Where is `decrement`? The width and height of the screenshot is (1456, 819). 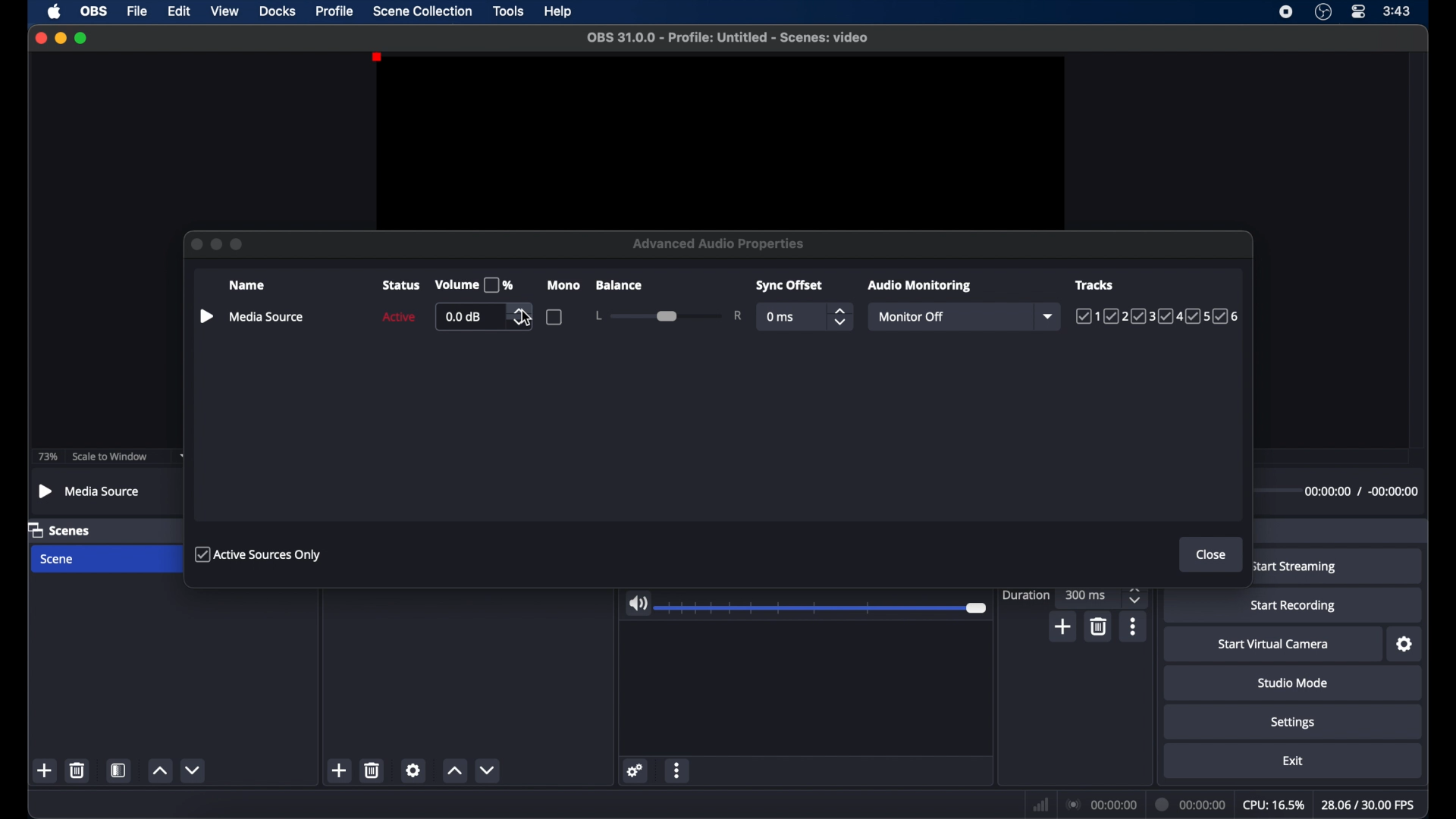 decrement is located at coordinates (487, 770).